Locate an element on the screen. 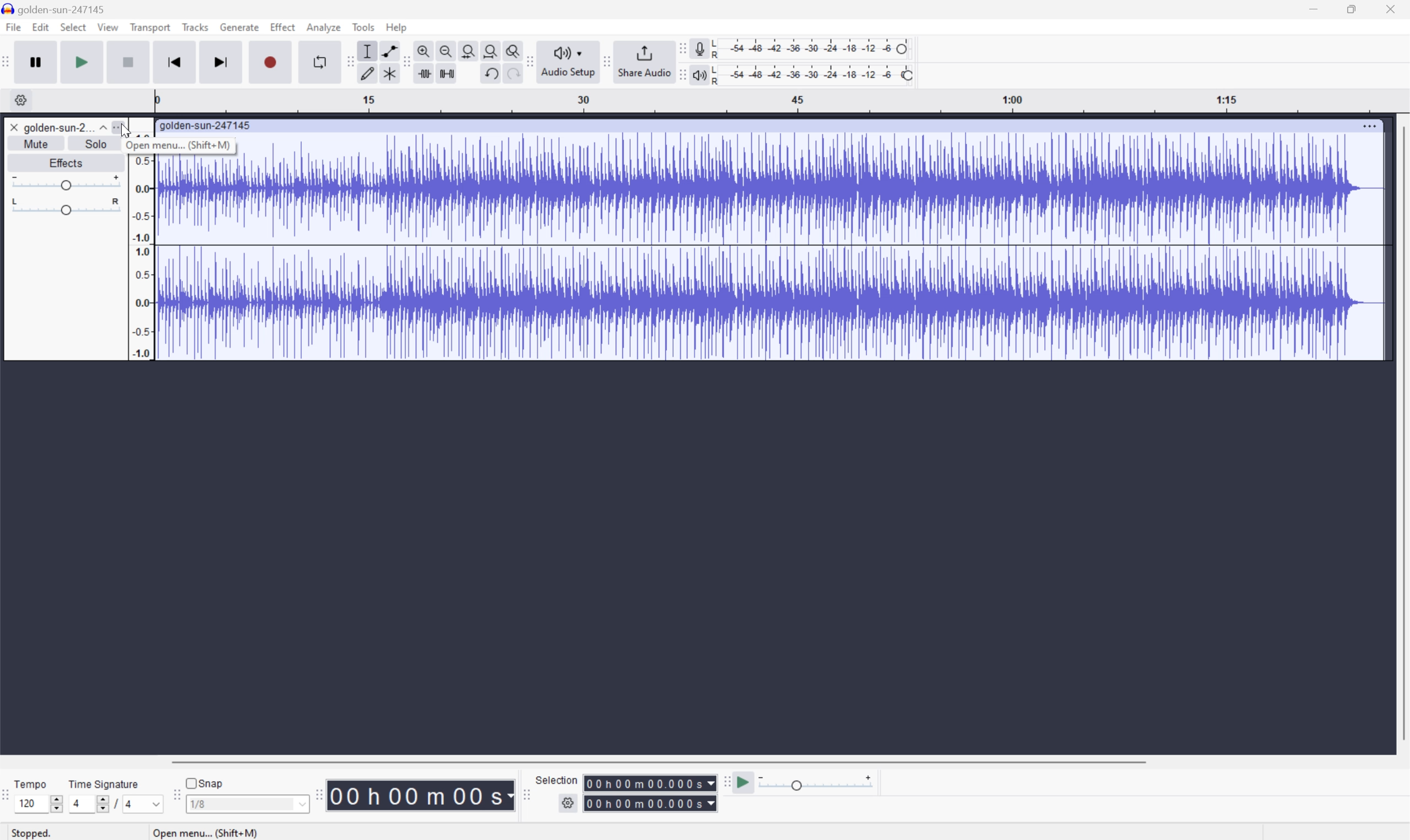  Audacity transport toolbar is located at coordinates (10, 63).